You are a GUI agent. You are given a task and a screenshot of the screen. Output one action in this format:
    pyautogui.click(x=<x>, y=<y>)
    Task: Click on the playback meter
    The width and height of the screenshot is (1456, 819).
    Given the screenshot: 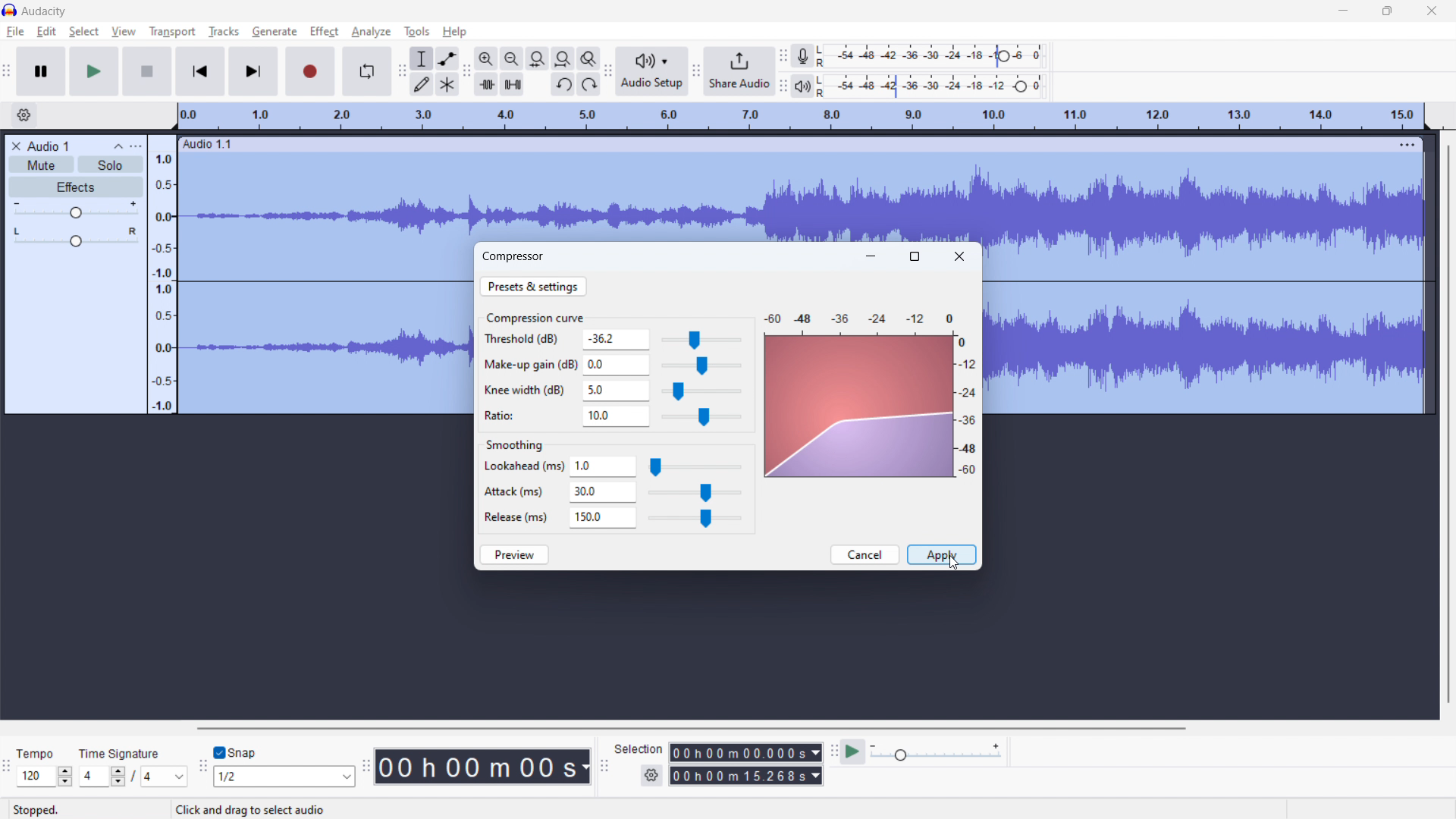 What is the action you would take?
    pyautogui.click(x=809, y=86)
    